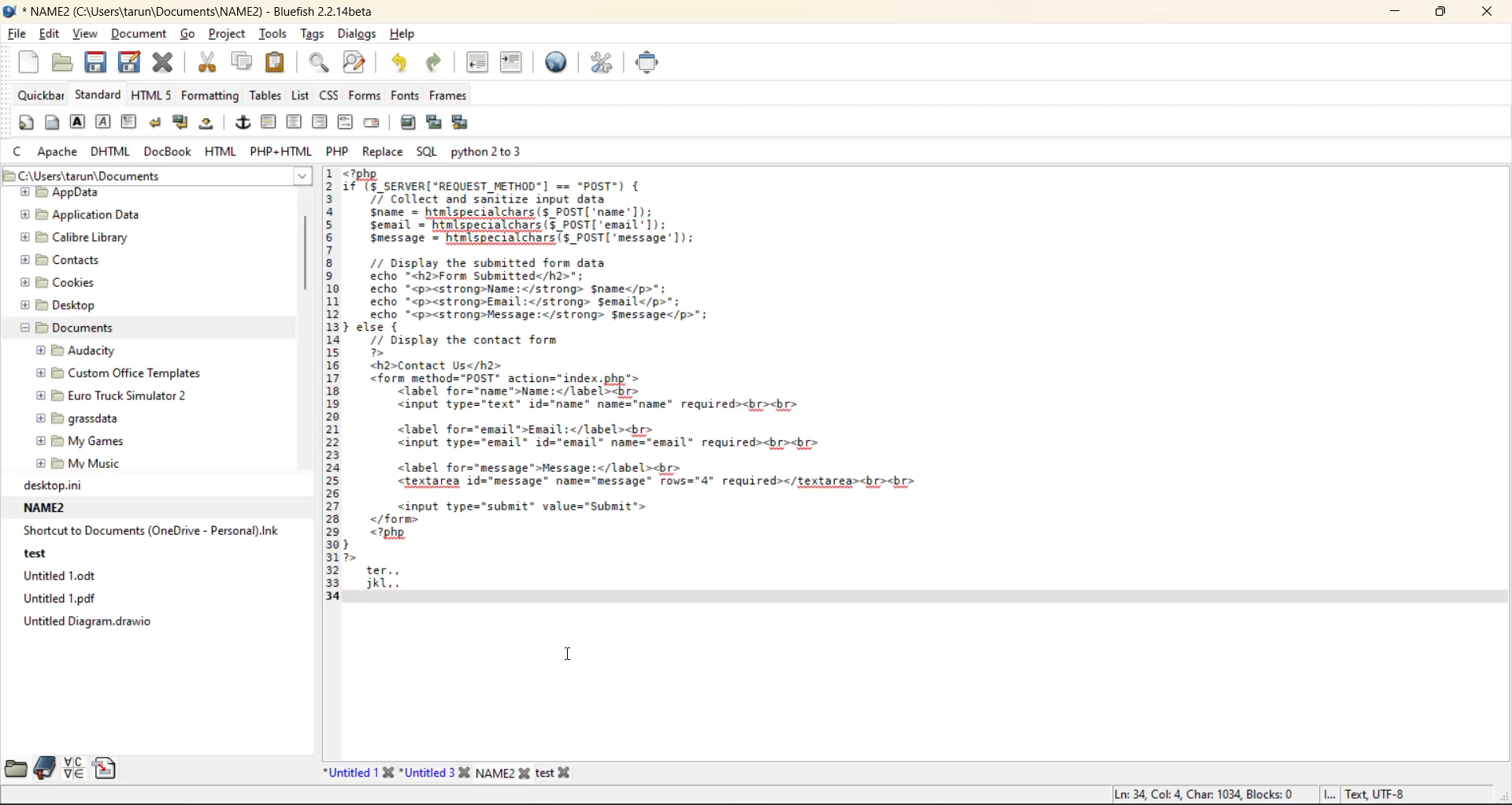  I want to click on Untitled 3, so click(437, 772).